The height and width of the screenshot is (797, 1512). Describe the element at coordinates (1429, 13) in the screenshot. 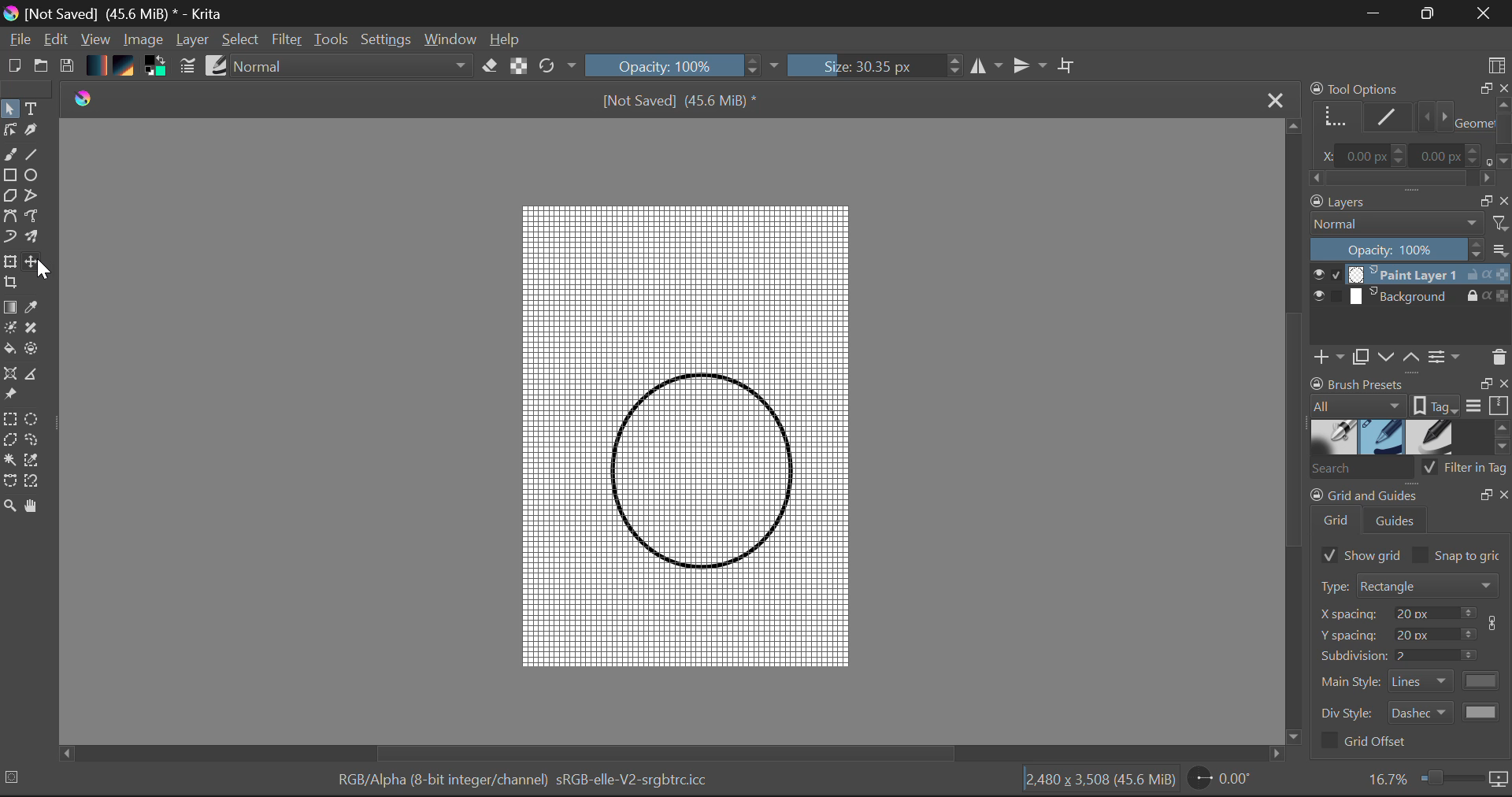

I see `Minimize` at that location.